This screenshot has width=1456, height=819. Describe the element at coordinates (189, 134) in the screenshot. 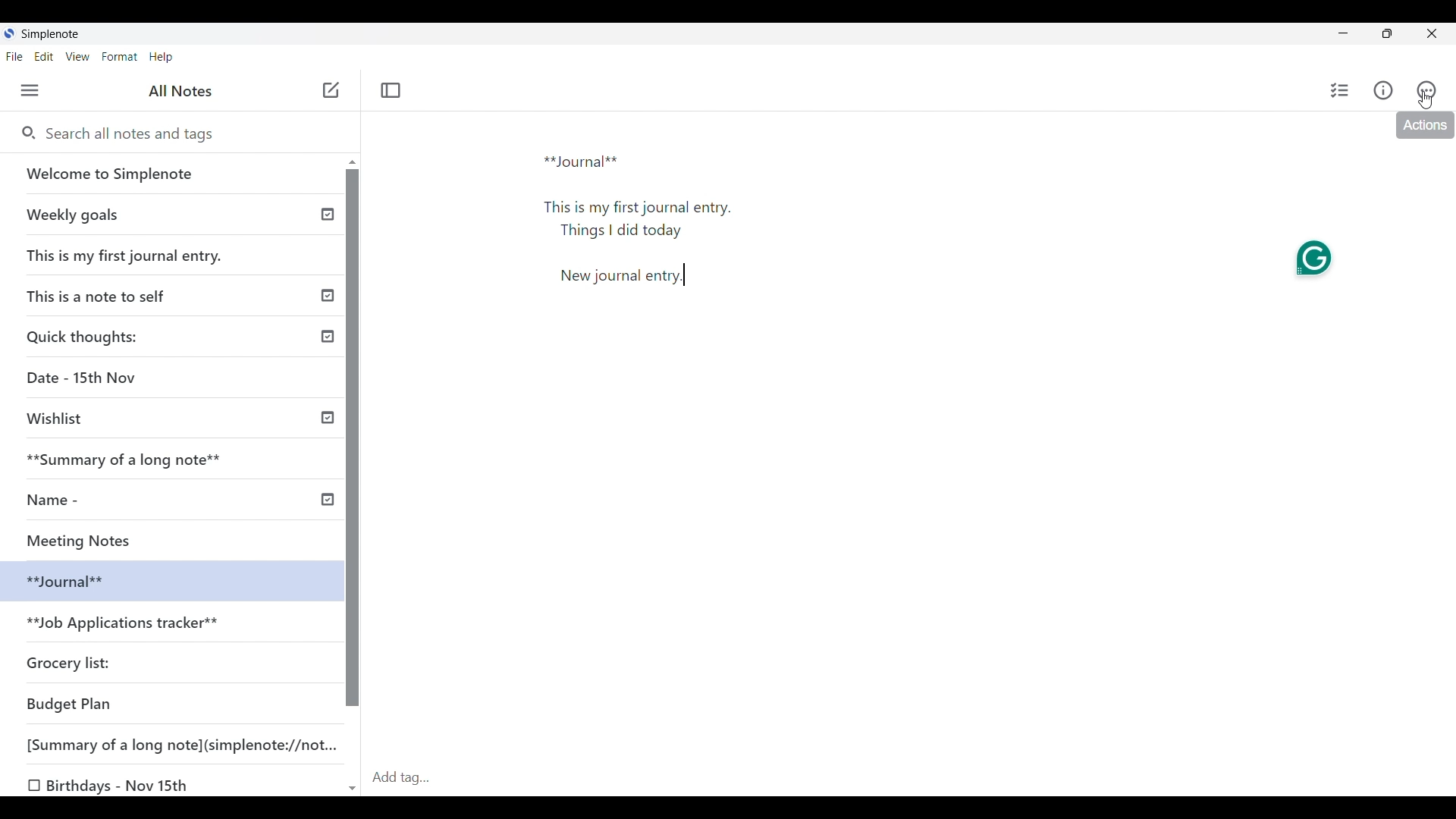

I see `Search all notes and tags` at that location.